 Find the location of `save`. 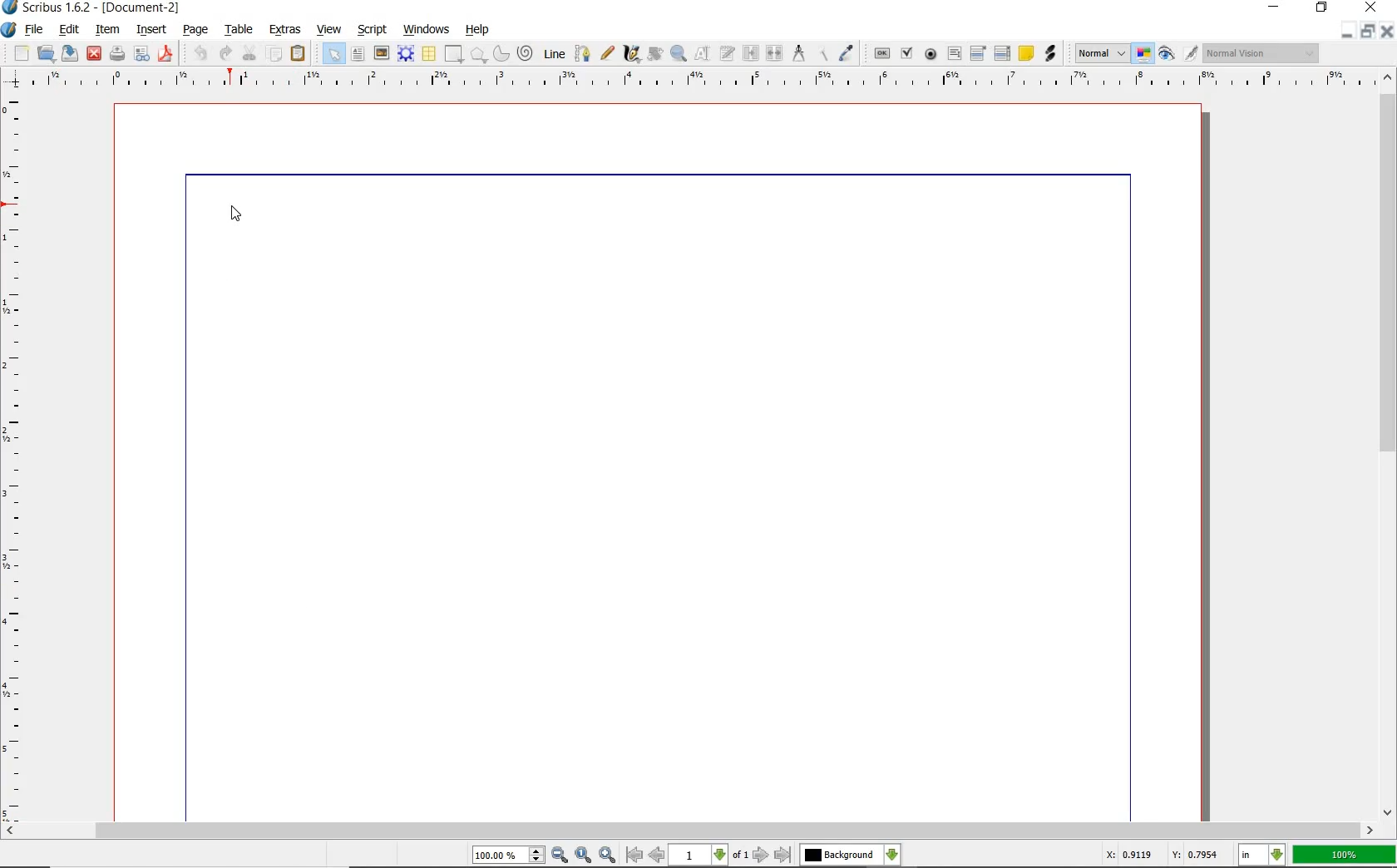

save is located at coordinates (69, 55).